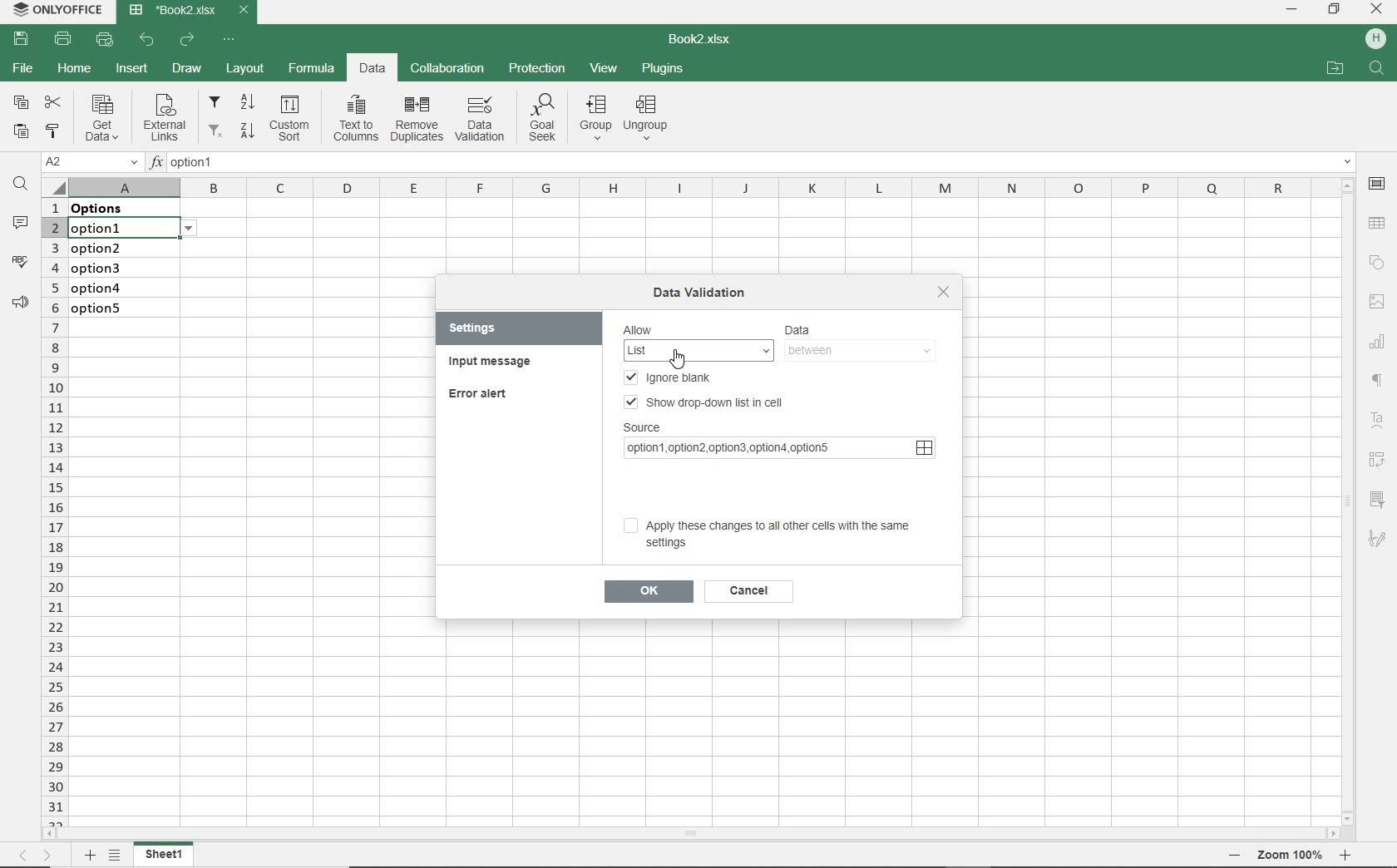  I want to click on VIEW, so click(604, 68).